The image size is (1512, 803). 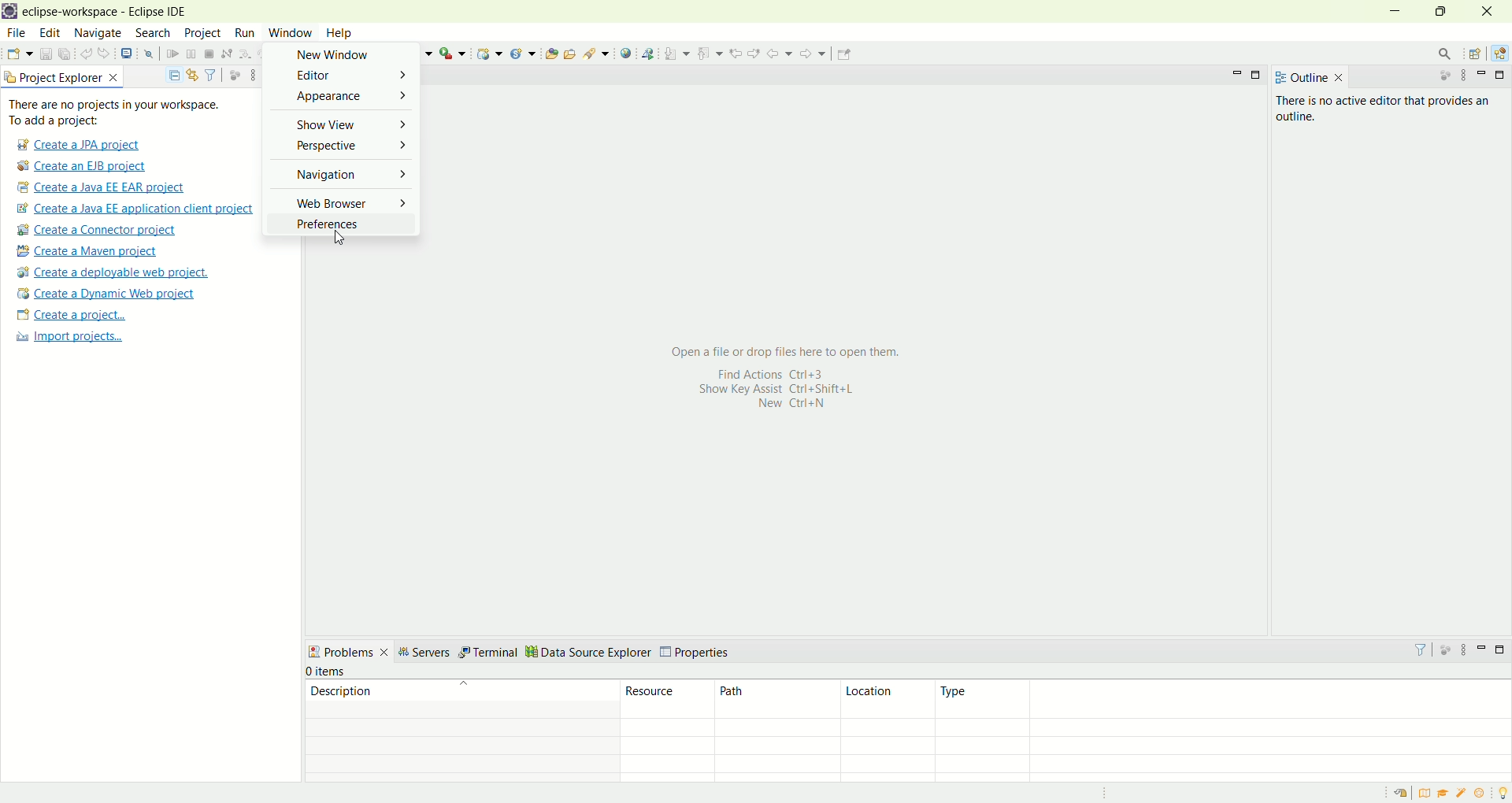 I want to click on filter, so click(x=210, y=74).